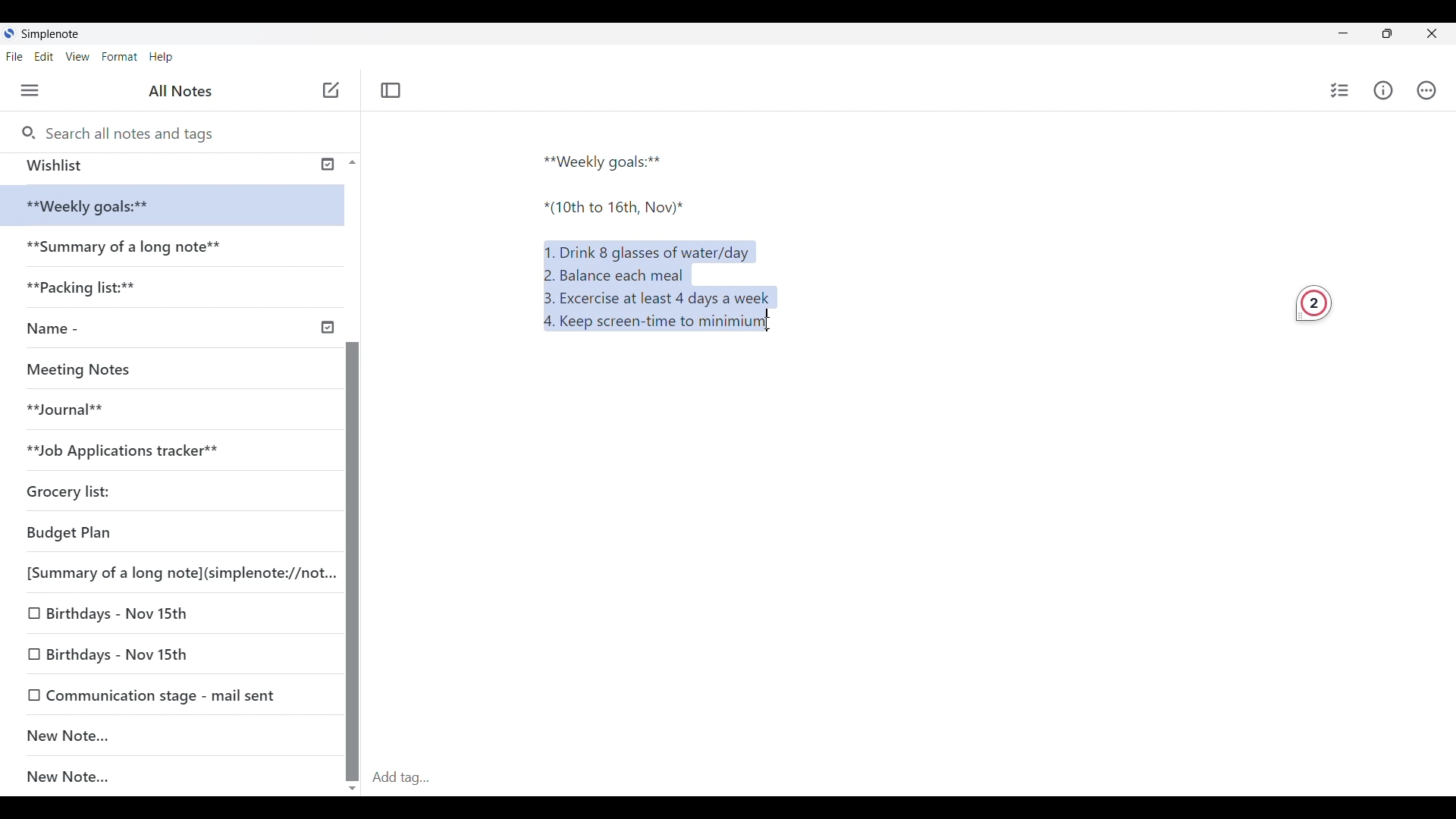  I want to click on 2. Balance each meal, so click(615, 275).